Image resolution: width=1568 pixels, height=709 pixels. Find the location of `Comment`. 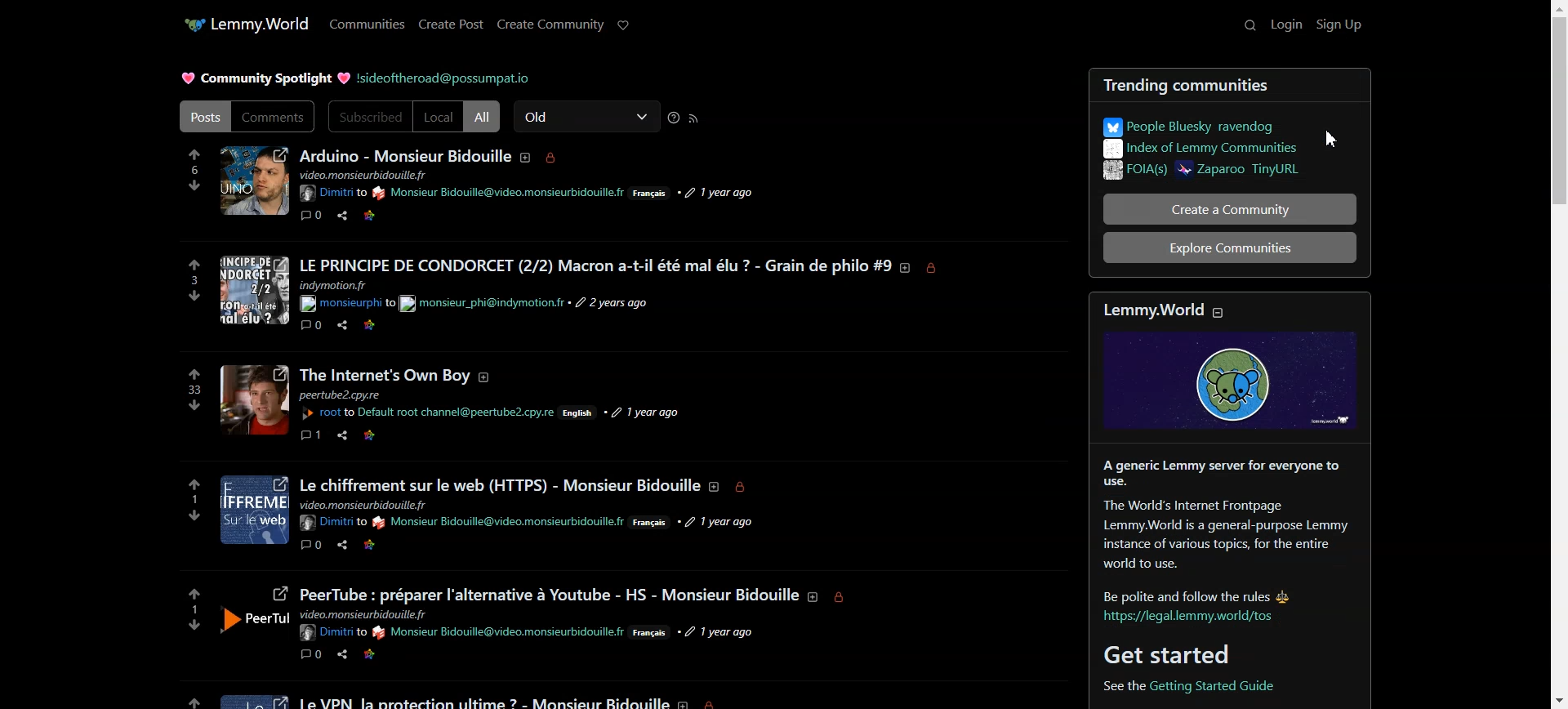

Comment is located at coordinates (312, 215).